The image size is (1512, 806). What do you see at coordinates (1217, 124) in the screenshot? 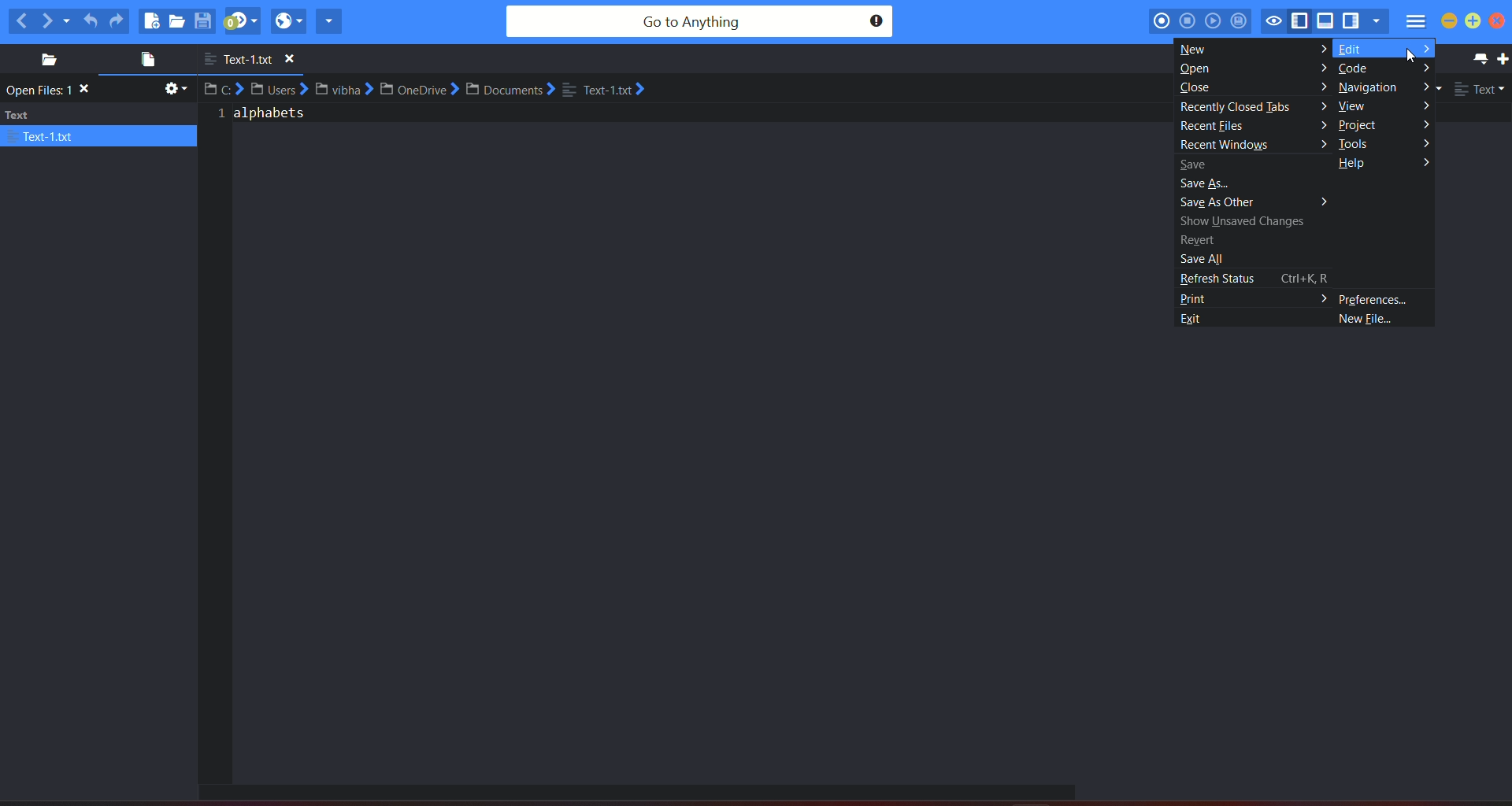
I see `Recent Effects` at bounding box center [1217, 124].